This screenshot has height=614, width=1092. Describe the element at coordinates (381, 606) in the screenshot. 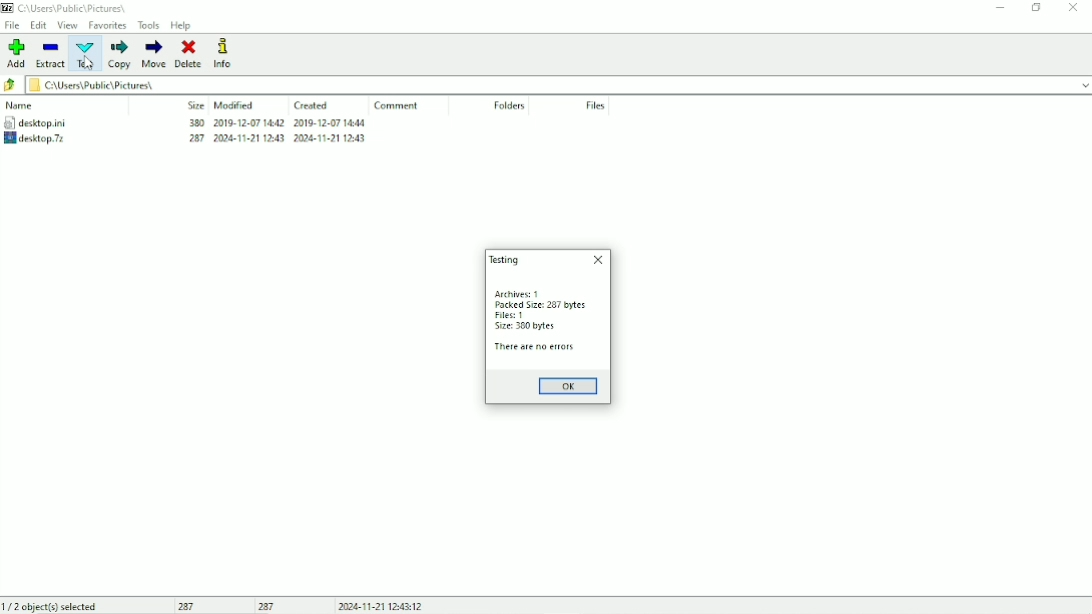

I see `2024-11-21 12.43.12` at that location.